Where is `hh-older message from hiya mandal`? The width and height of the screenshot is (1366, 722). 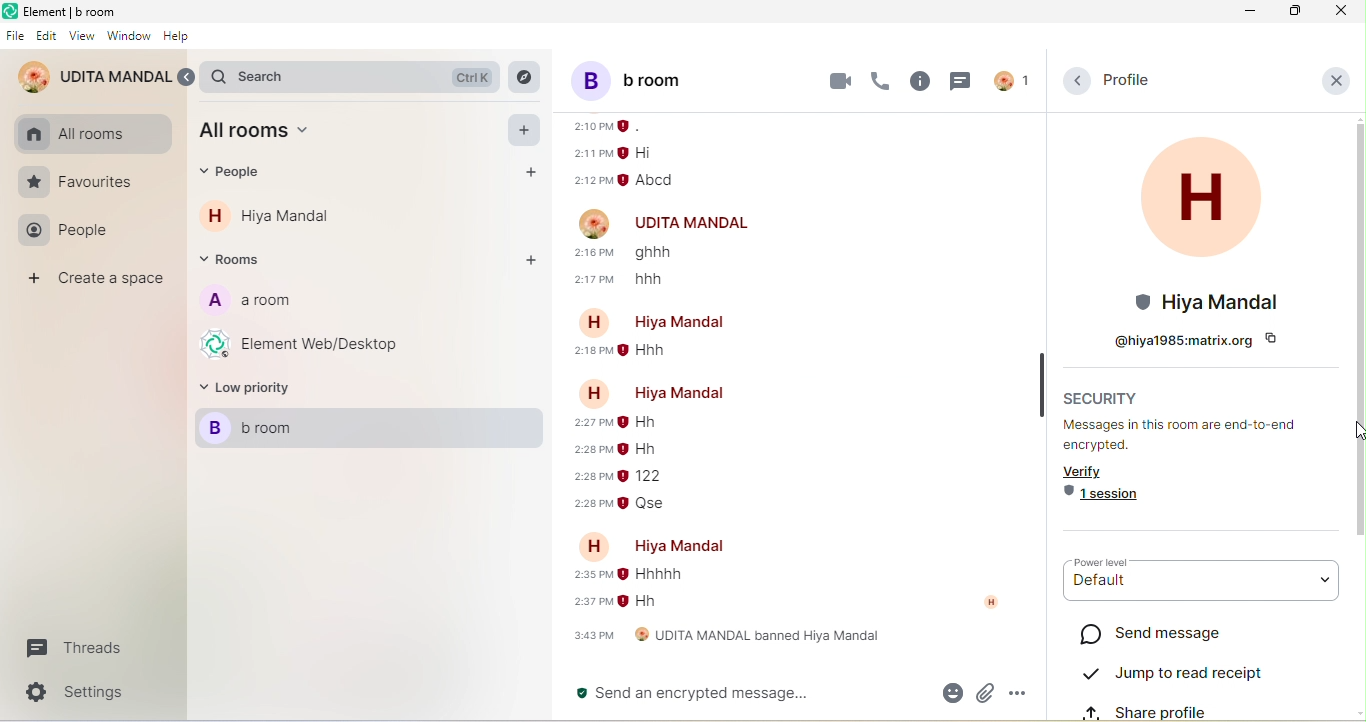
hh-older message from hiya mandal is located at coordinates (639, 448).